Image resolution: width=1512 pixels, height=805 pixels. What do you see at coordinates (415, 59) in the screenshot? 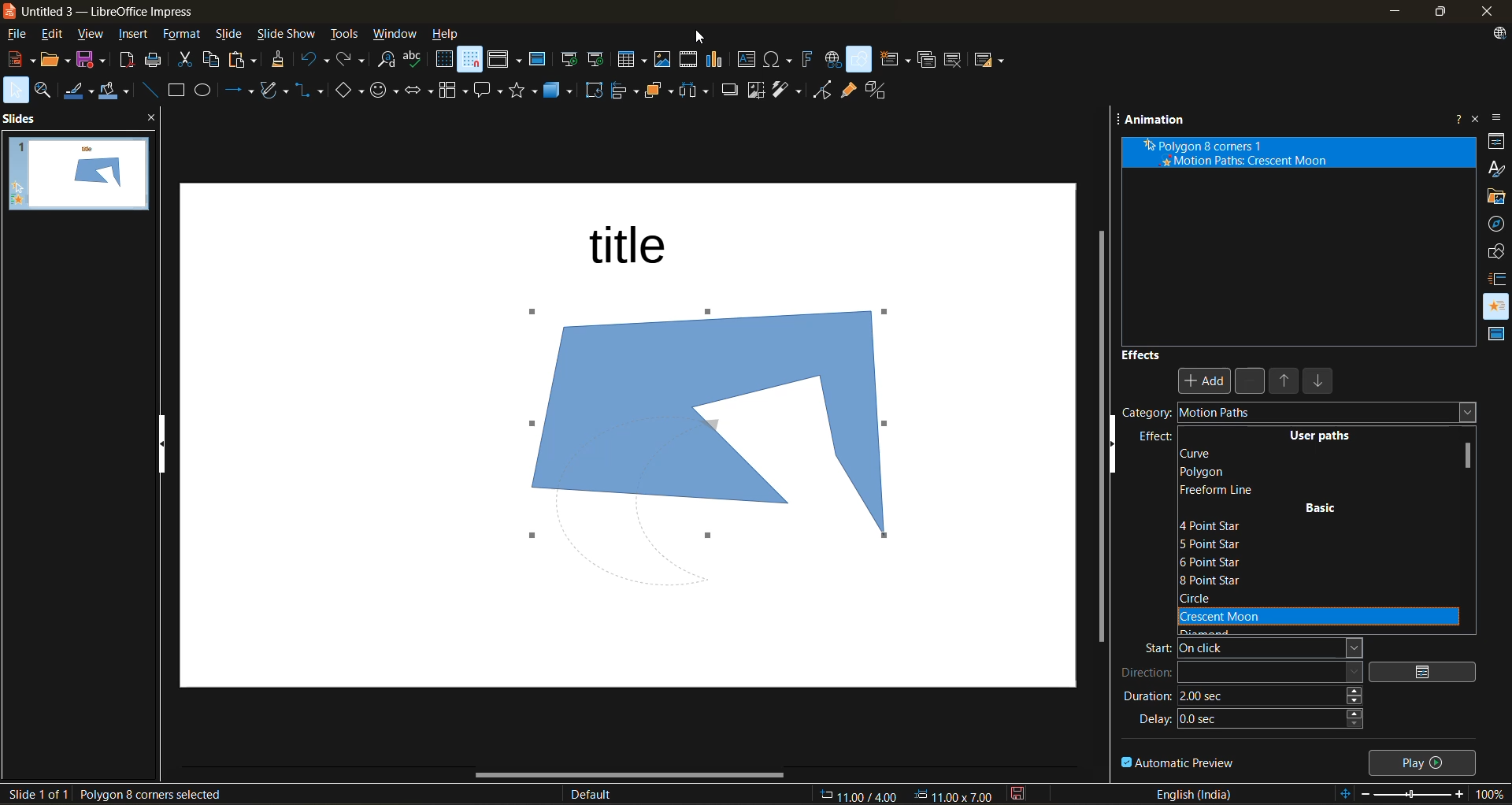
I see `spelling` at bounding box center [415, 59].